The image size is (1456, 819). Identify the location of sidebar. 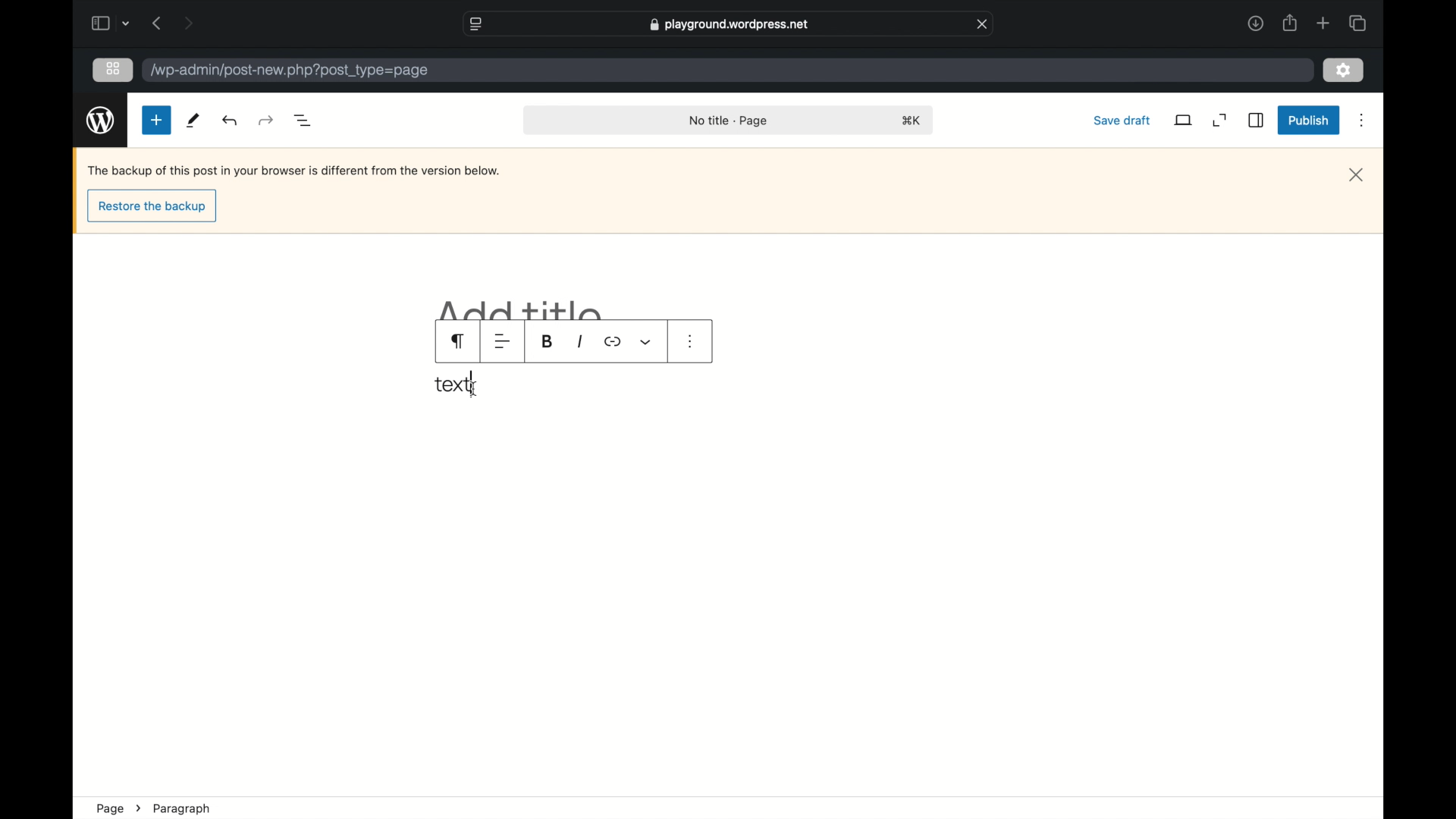
(1257, 121).